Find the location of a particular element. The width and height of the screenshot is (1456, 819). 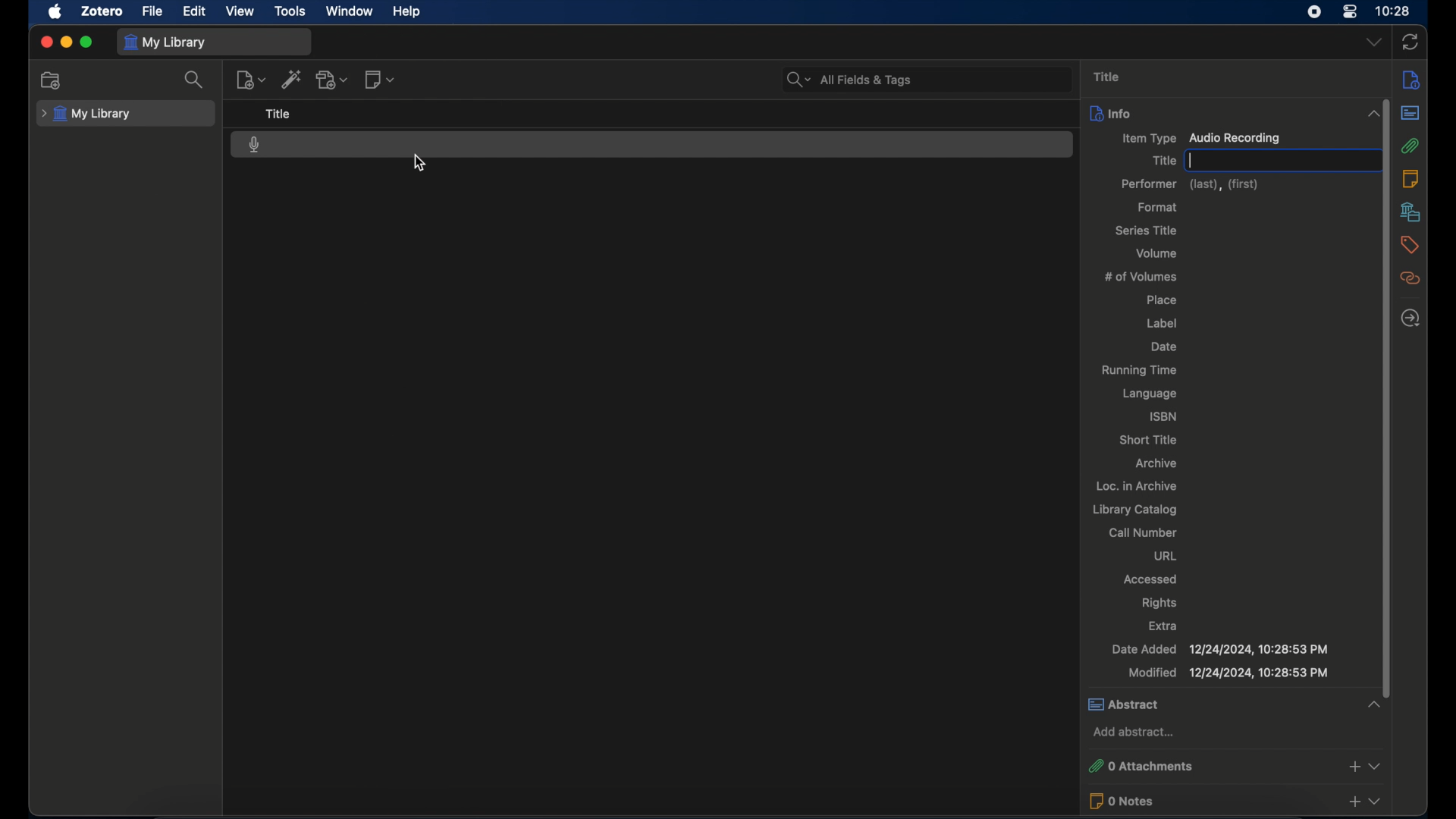

minimize is located at coordinates (65, 42).